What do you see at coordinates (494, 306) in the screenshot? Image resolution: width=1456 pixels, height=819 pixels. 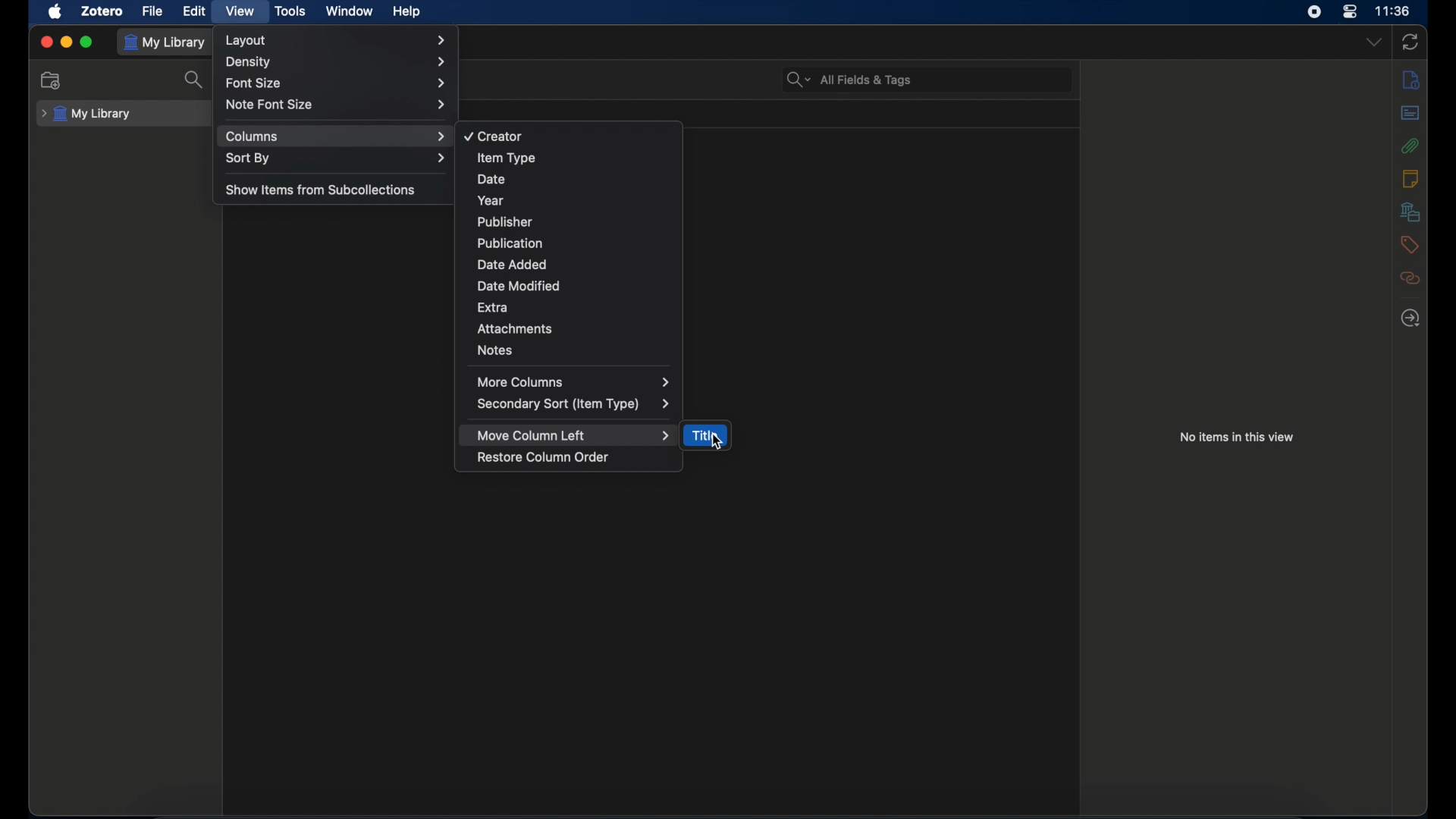 I see `extra` at bounding box center [494, 306].